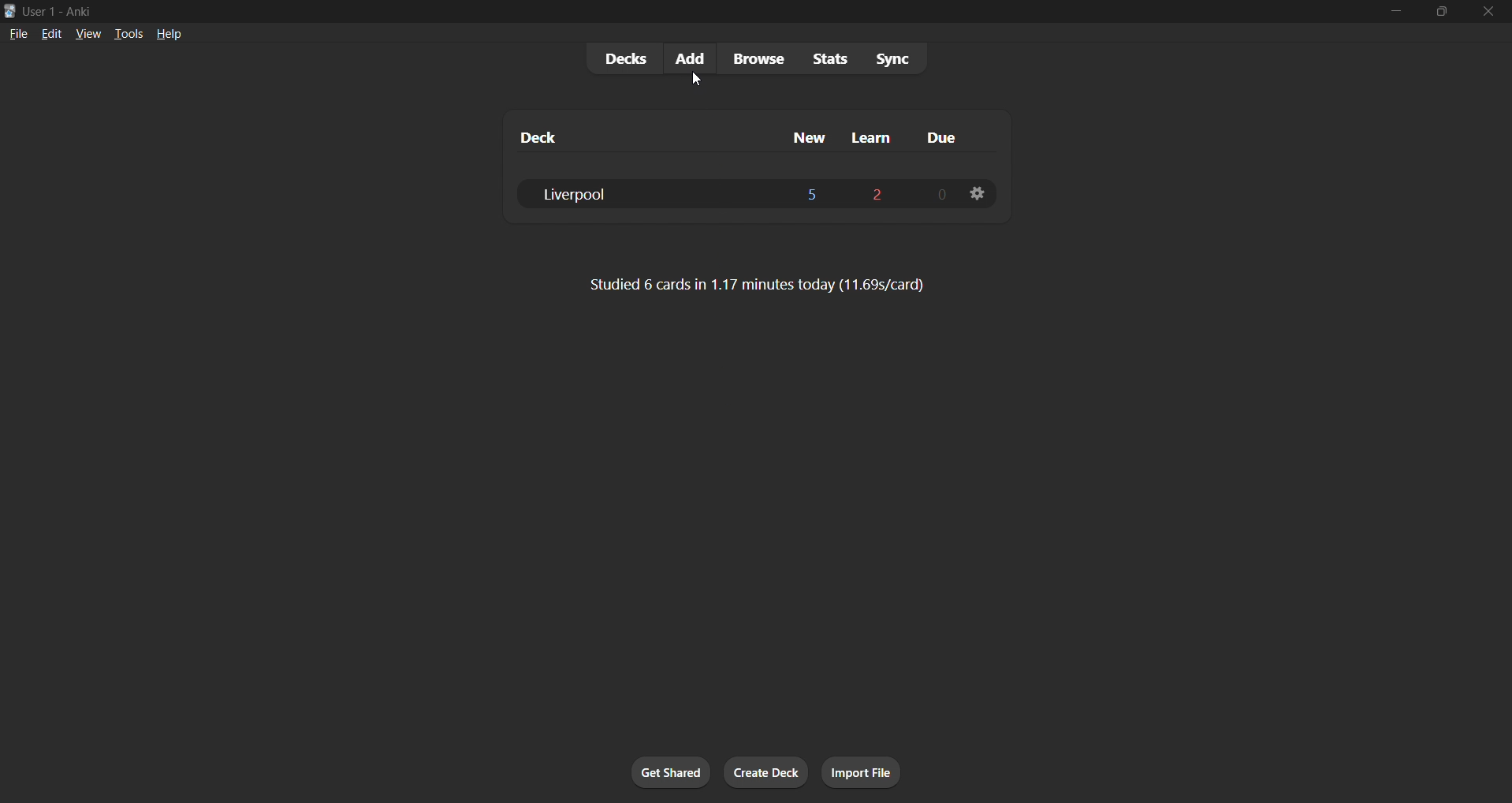  Describe the element at coordinates (747, 194) in the screenshot. I see `liverpool deck data` at that location.